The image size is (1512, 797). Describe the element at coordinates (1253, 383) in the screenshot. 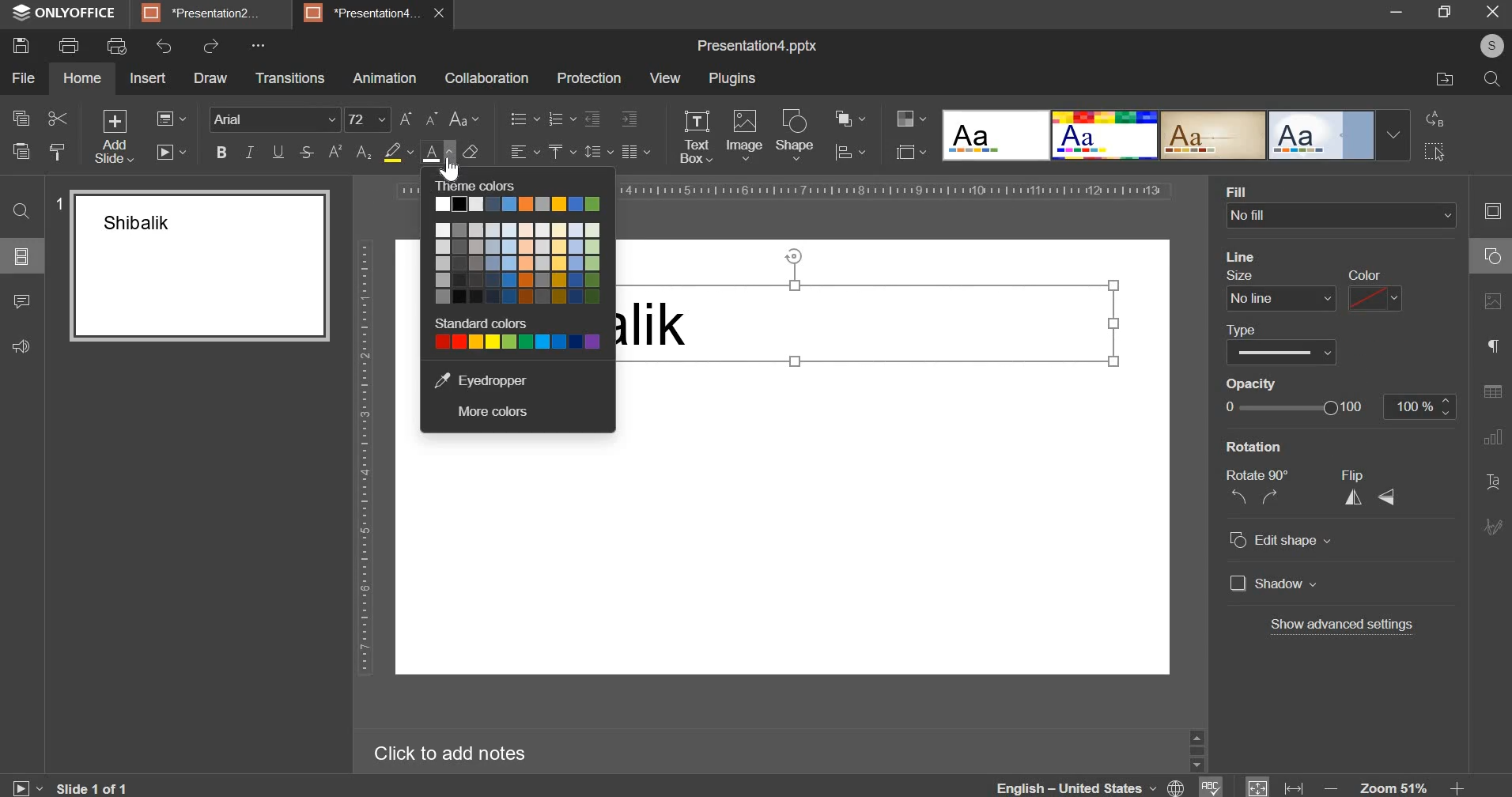

I see `opacity` at that location.